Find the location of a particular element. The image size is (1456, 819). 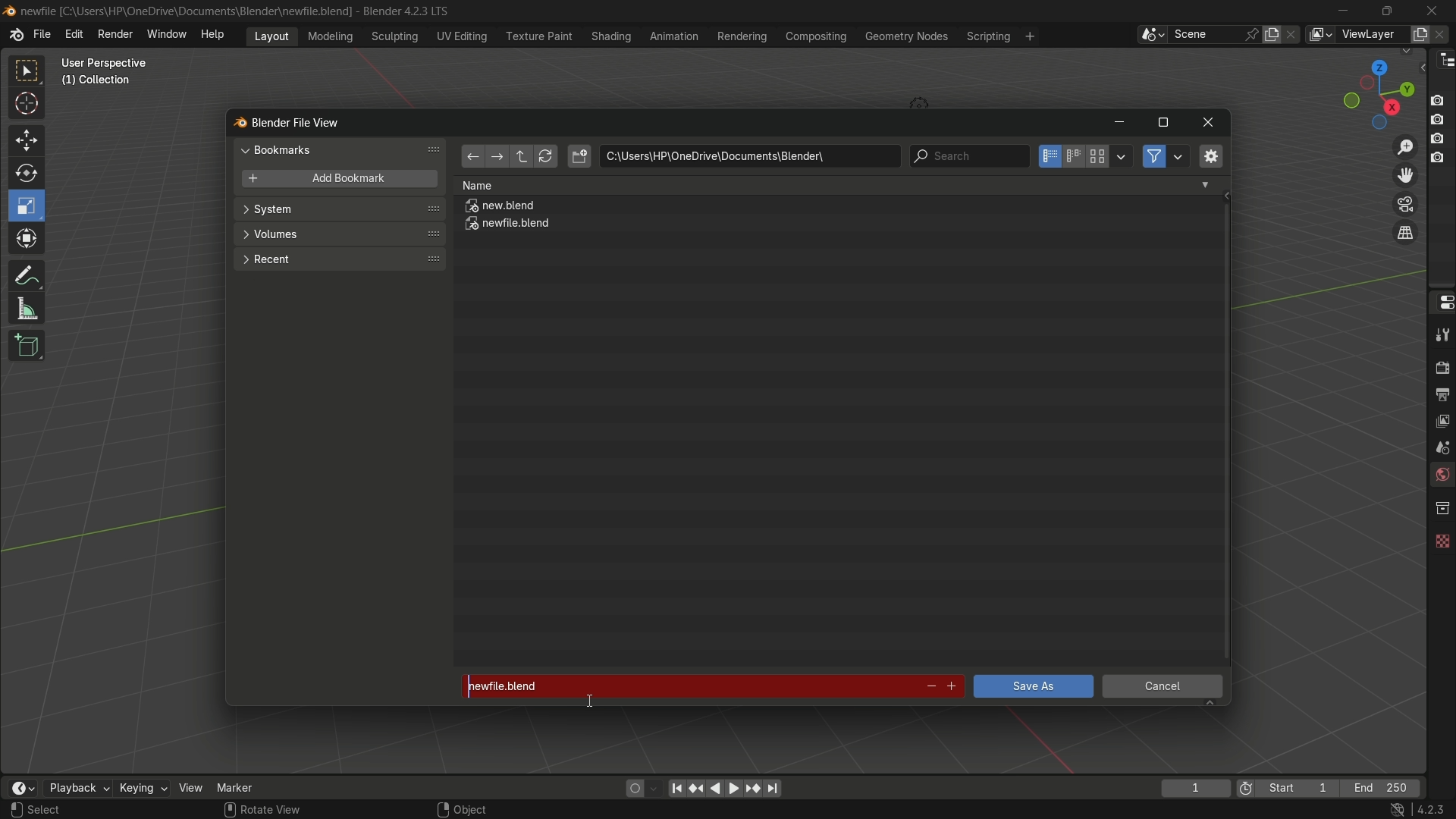

help menu is located at coordinates (216, 34).